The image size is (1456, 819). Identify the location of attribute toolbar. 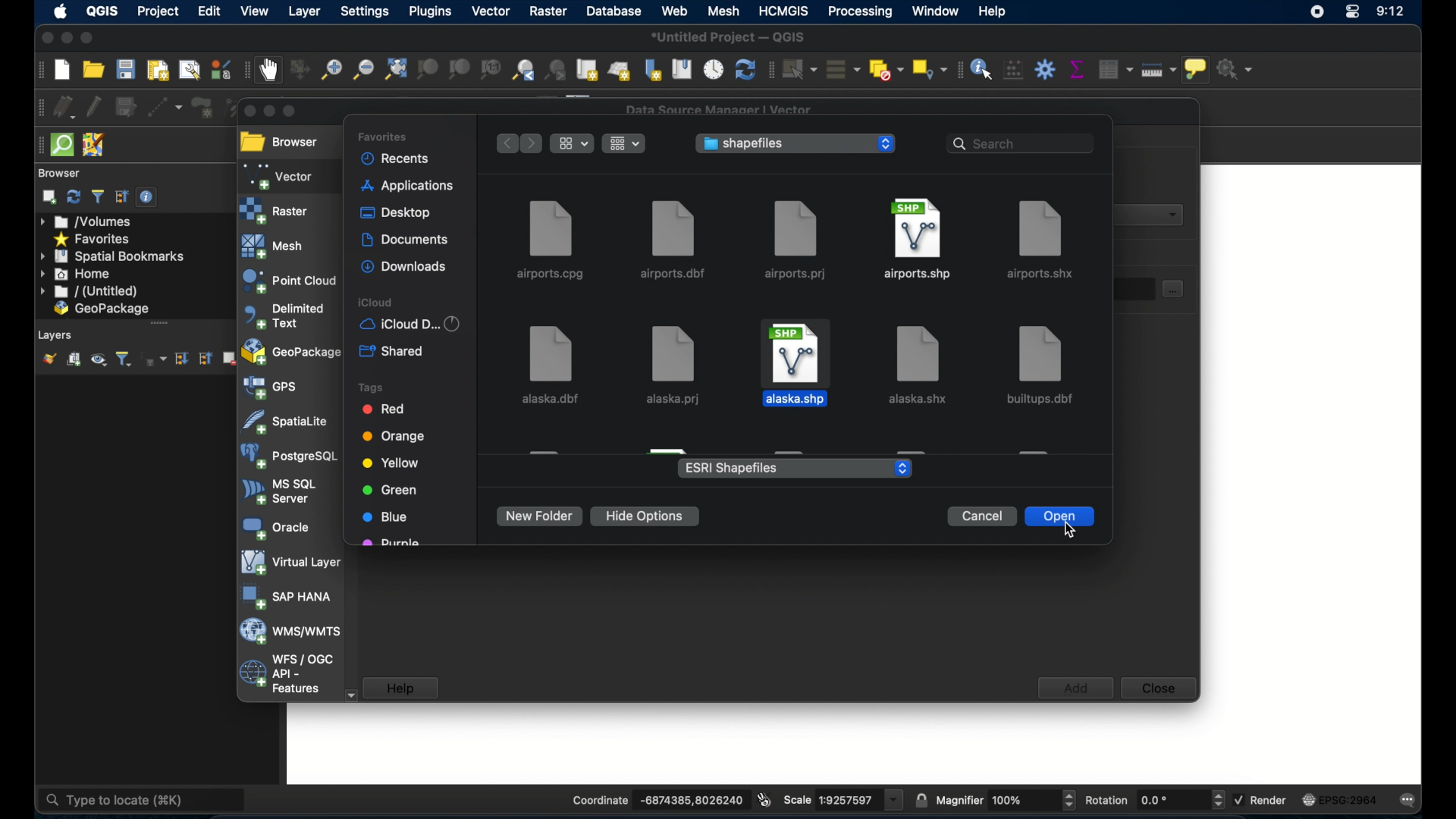
(958, 71).